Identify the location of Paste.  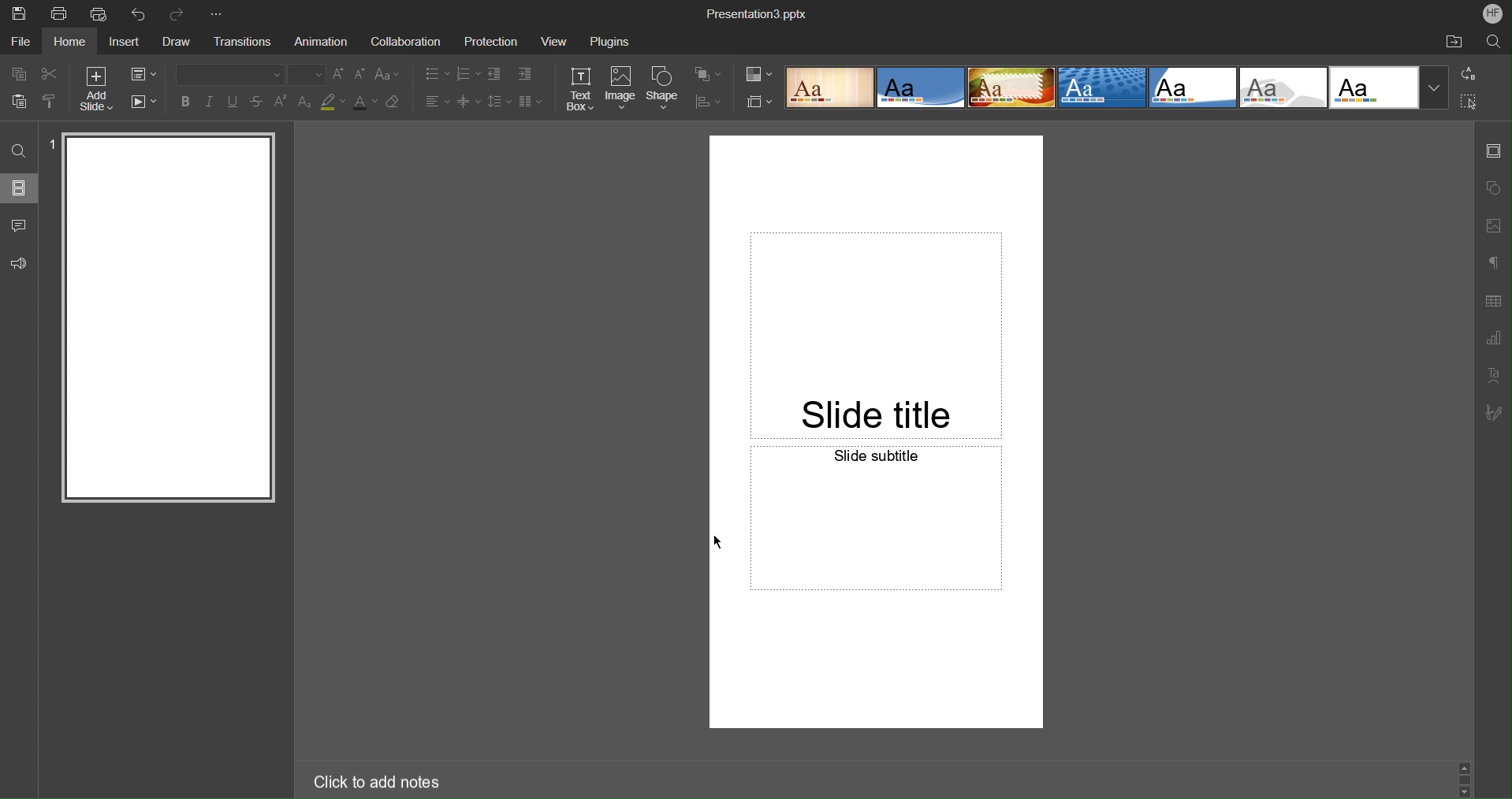
(16, 102).